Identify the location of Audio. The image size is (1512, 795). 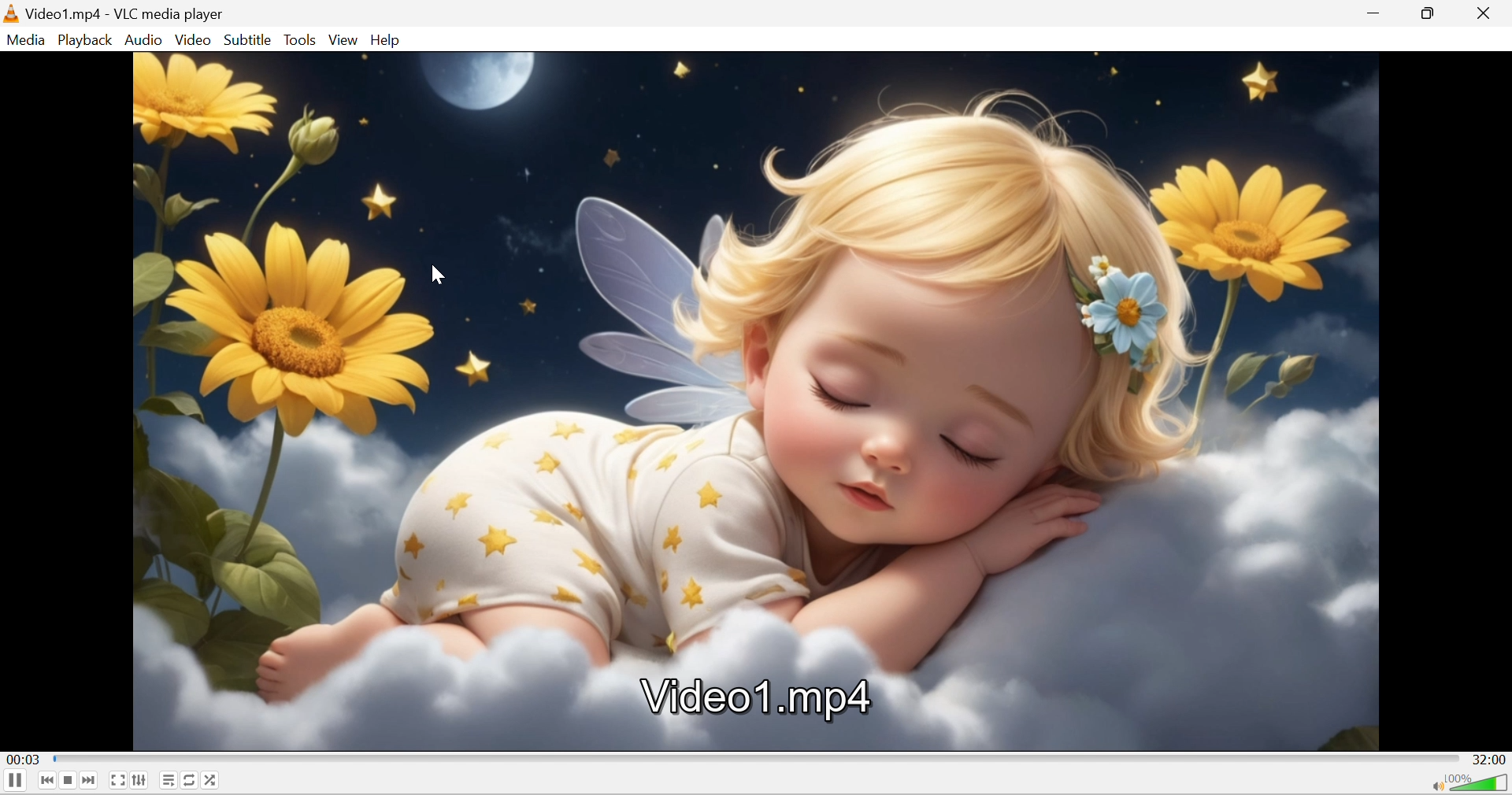
(146, 41).